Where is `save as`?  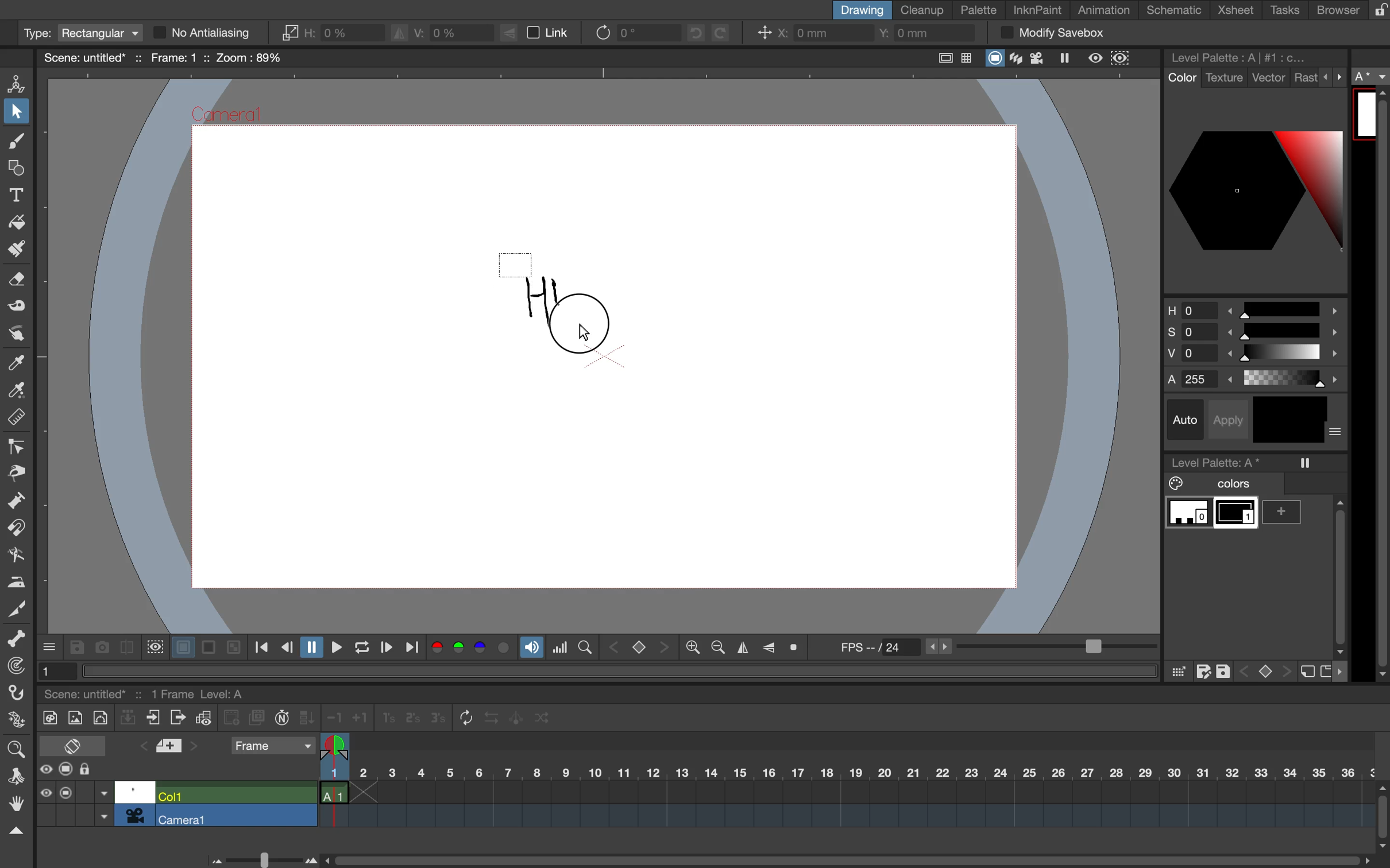 save as is located at coordinates (1203, 672).